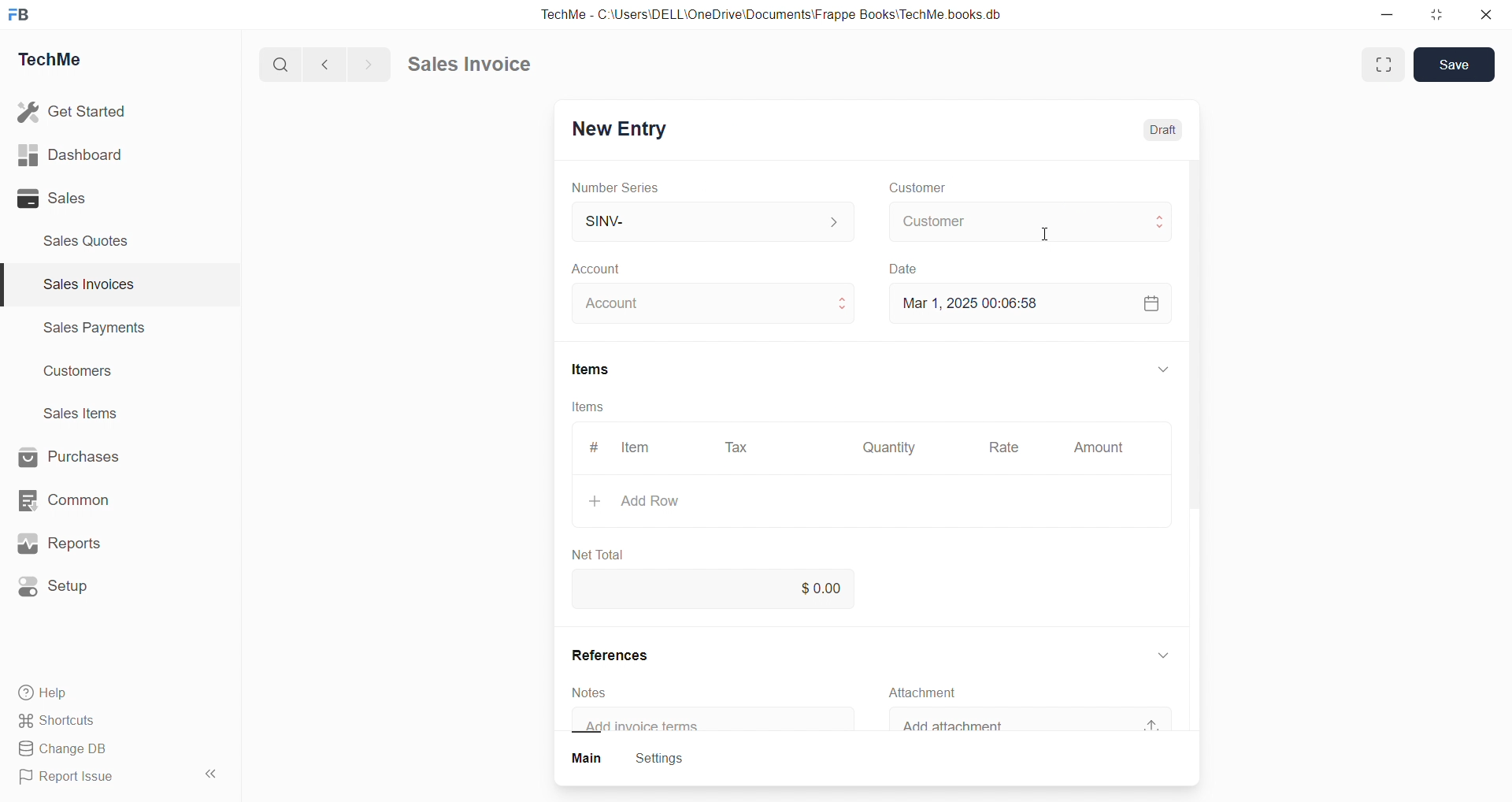 The height and width of the screenshot is (802, 1512). What do you see at coordinates (87, 330) in the screenshot?
I see `Sales Payments` at bounding box center [87, 330].